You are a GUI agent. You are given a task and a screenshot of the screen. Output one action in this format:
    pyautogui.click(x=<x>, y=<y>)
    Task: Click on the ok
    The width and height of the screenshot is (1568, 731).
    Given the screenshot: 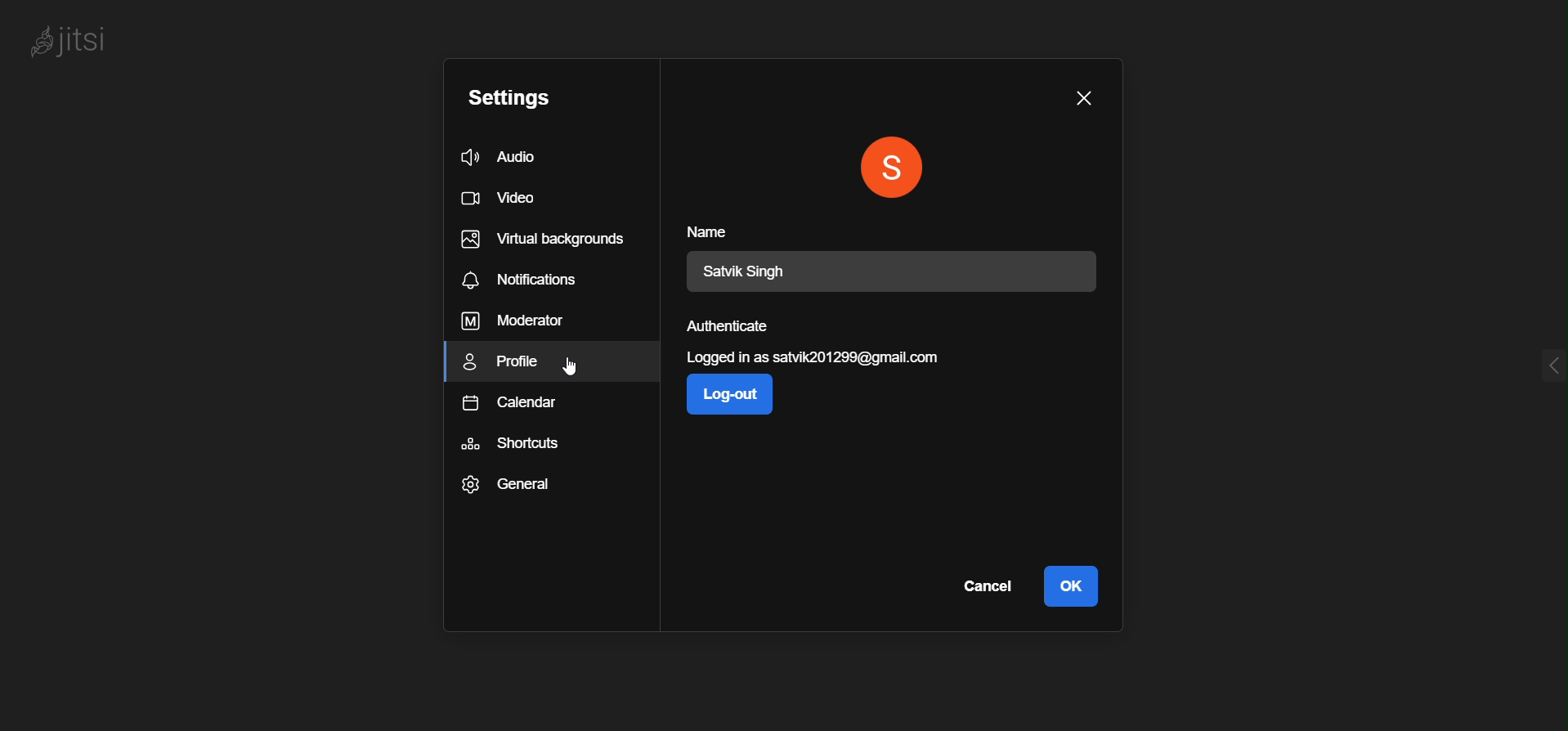 What is the action you would take?
    pyautogui.click(x=1069, y=587)
    